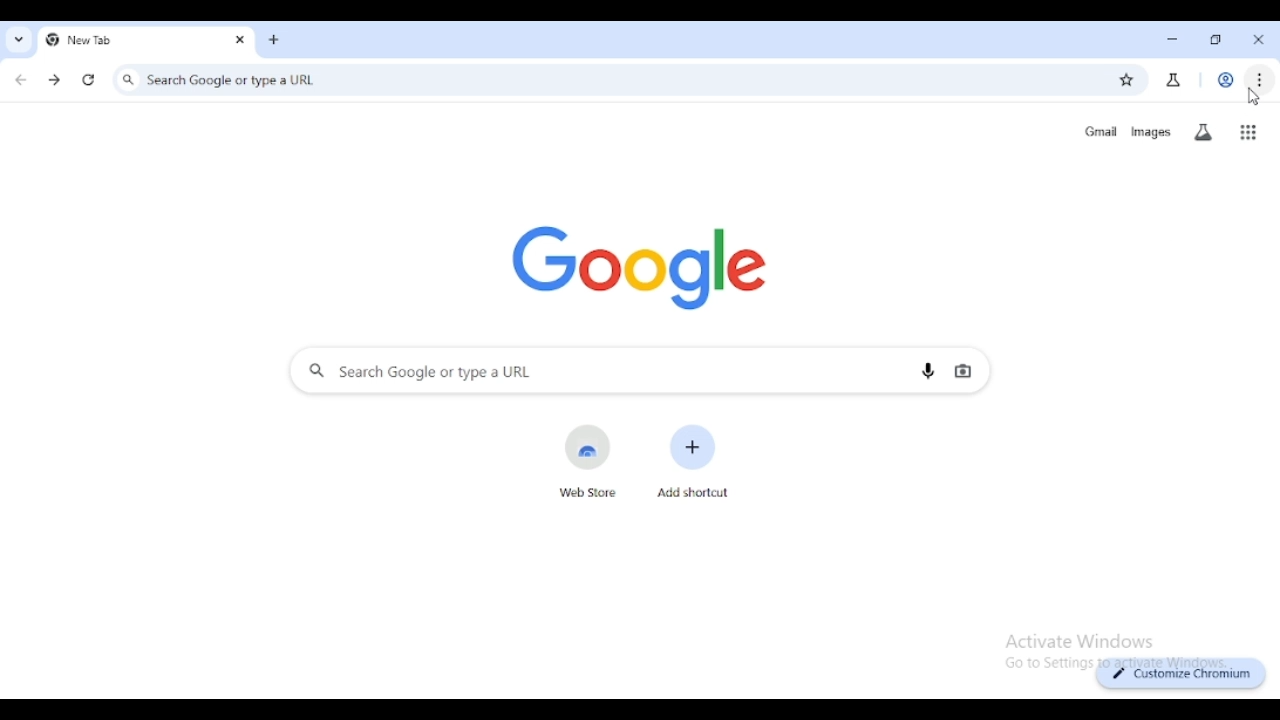 This screenshot has height=720, width=1280. What do you see at coordinates (1249, 133) in the screenshot?
I see `google apps` at bounding box center [1249, 133].